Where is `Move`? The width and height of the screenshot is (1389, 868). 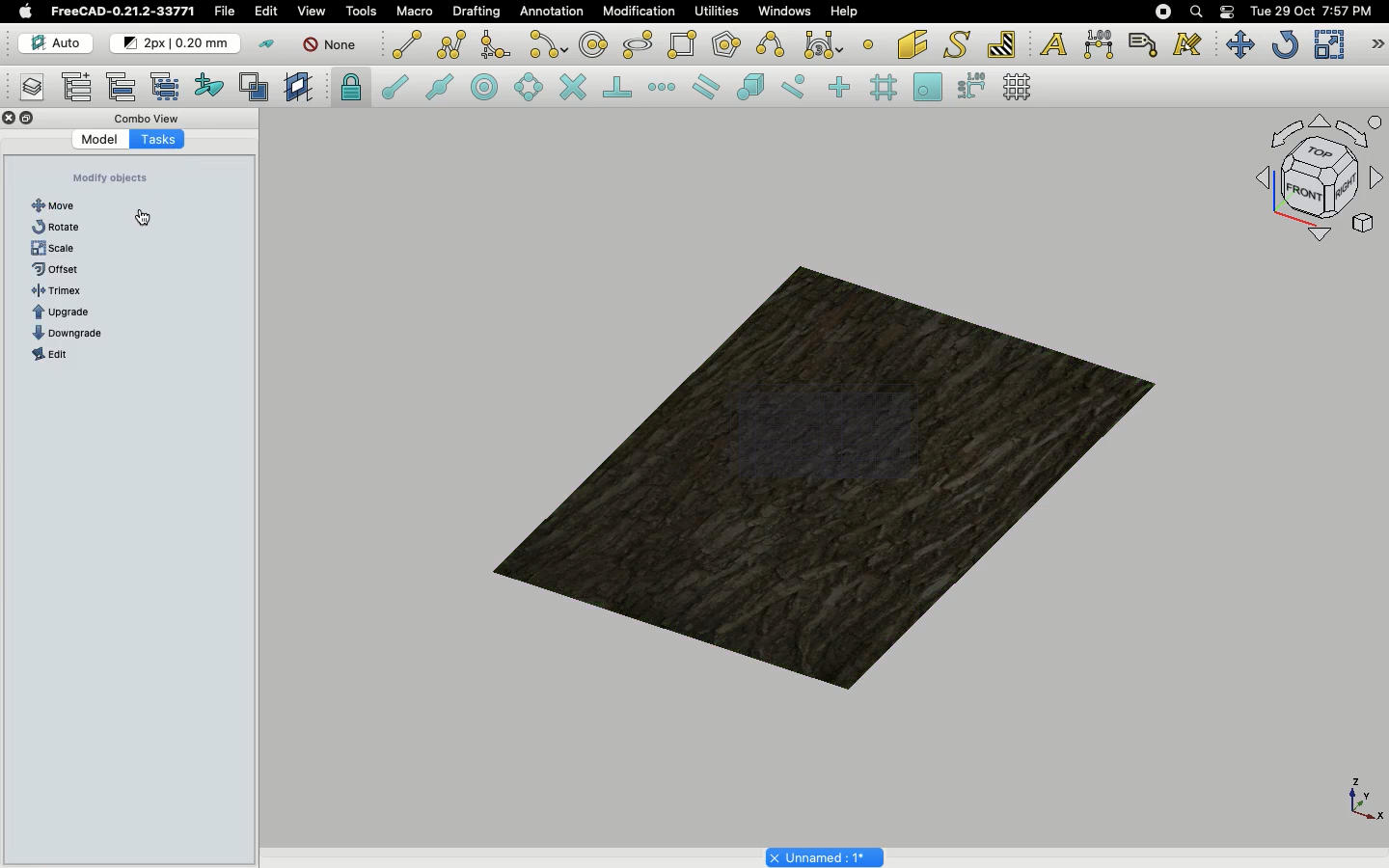 Move is located at coordinates (57, 205).